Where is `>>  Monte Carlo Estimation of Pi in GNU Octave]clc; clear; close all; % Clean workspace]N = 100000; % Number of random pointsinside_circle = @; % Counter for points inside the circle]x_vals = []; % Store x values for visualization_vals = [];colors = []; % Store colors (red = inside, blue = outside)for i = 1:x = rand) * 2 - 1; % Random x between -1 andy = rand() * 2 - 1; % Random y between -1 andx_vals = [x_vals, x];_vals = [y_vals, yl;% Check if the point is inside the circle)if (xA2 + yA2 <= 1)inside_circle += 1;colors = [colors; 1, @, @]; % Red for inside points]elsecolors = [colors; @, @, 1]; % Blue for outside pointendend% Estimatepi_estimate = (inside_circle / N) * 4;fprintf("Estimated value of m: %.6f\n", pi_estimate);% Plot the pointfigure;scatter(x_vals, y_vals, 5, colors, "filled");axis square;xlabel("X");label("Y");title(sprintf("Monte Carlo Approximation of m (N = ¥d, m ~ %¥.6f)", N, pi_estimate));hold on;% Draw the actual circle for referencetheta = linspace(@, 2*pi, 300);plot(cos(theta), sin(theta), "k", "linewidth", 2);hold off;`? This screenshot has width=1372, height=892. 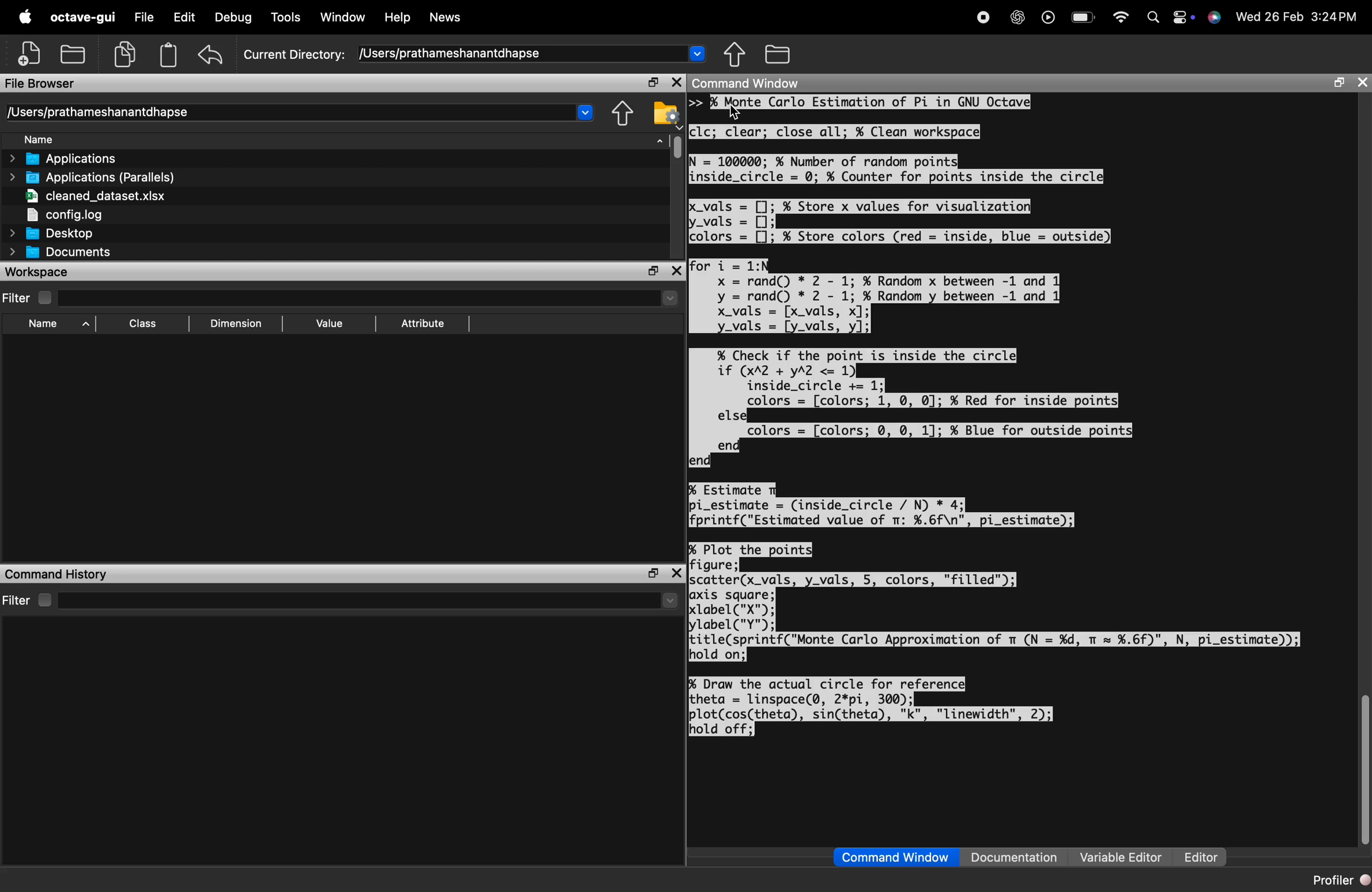 >>  Monte Carlo Estimation of Pi in GNU Octave]clc; clear; close all; % Clean workspace]N = 100000; % Number of random pointsinside_circle = @; % Counter for points inside the circle]x_vals = []; % Store x values for visualization_vals = [];colors = []; % Store colors (red = inside, blue = outside)for i = 1:x = rand) * 2 - 1; % Random x between -1 andy = rand() * 2 - 1; % Random y between -1 andx_vals = [x_vals, x];_vals = [y_vals, yl;% Check if the point is inside the circle)if (xA2 + yA2 <= 1)inside_circle += 1;colors = [colors; 1, @, @]; % Red for inside points]elsecolors = [colors; @, @, 1]; % Blue for outside pointendend% Estimatepi_estimate = (inside_circle / N) * 4;fprintf("Estimated value of m: %.6f\n", pi_estimate);% Plot the pointfigure;scatter(x_vals, y_vals, 5, colors, "filled");axis square;xlabel("X");label("Y");title(sprintf("Monte Carlo Approximation of m (N = ¥d, m ~ %¥.6f)", N, pi_estimate));hold on;% Draw the actual circle for referencetheta = linspace(@, 2*pi, 300);plot(cos(theta), sin(theta), "k", "linewidth", 2);hold off; is located at coordinates (1001, 418).